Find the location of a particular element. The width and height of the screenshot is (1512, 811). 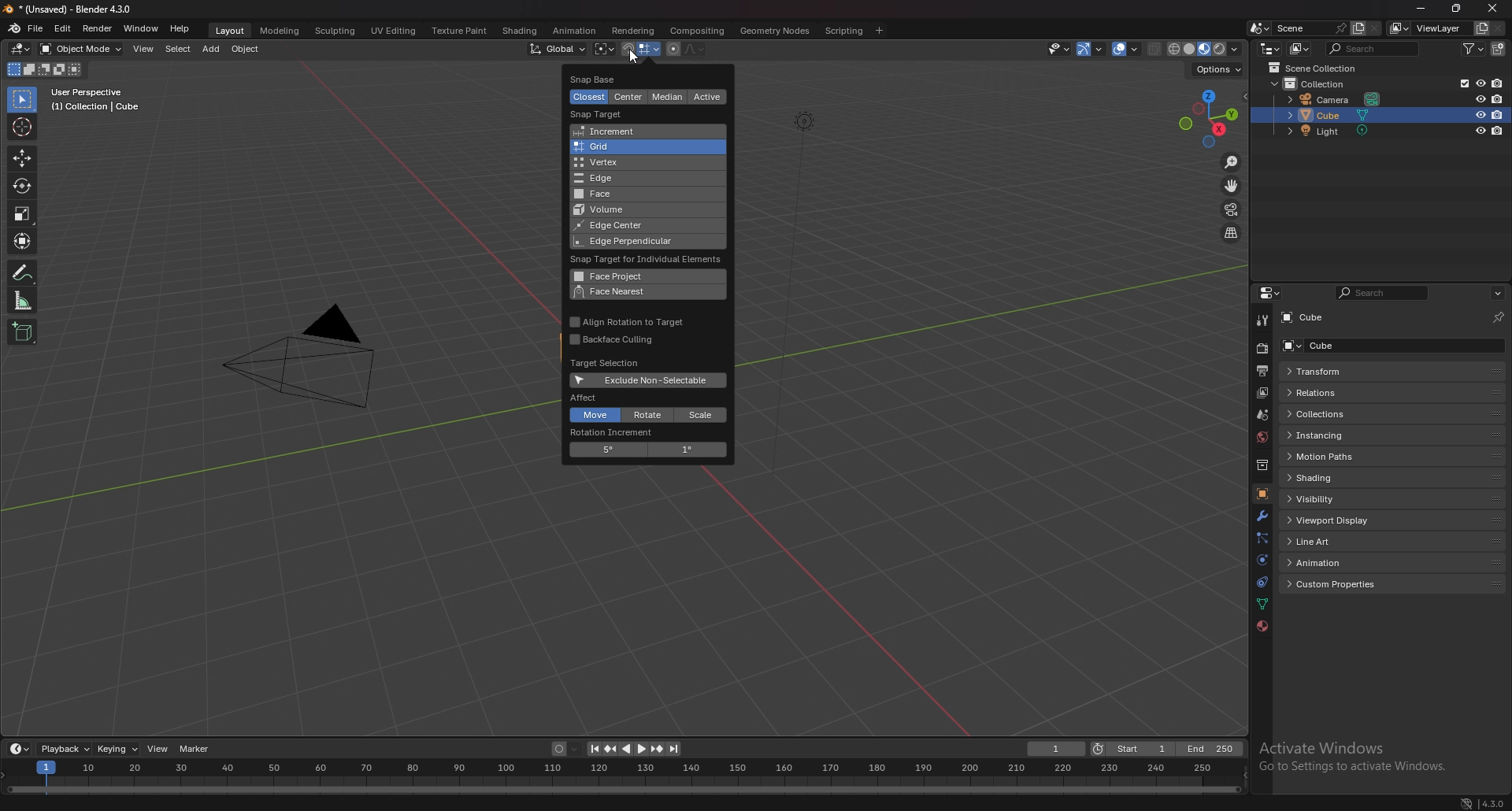

add cube is located at coordinates (22, 331).